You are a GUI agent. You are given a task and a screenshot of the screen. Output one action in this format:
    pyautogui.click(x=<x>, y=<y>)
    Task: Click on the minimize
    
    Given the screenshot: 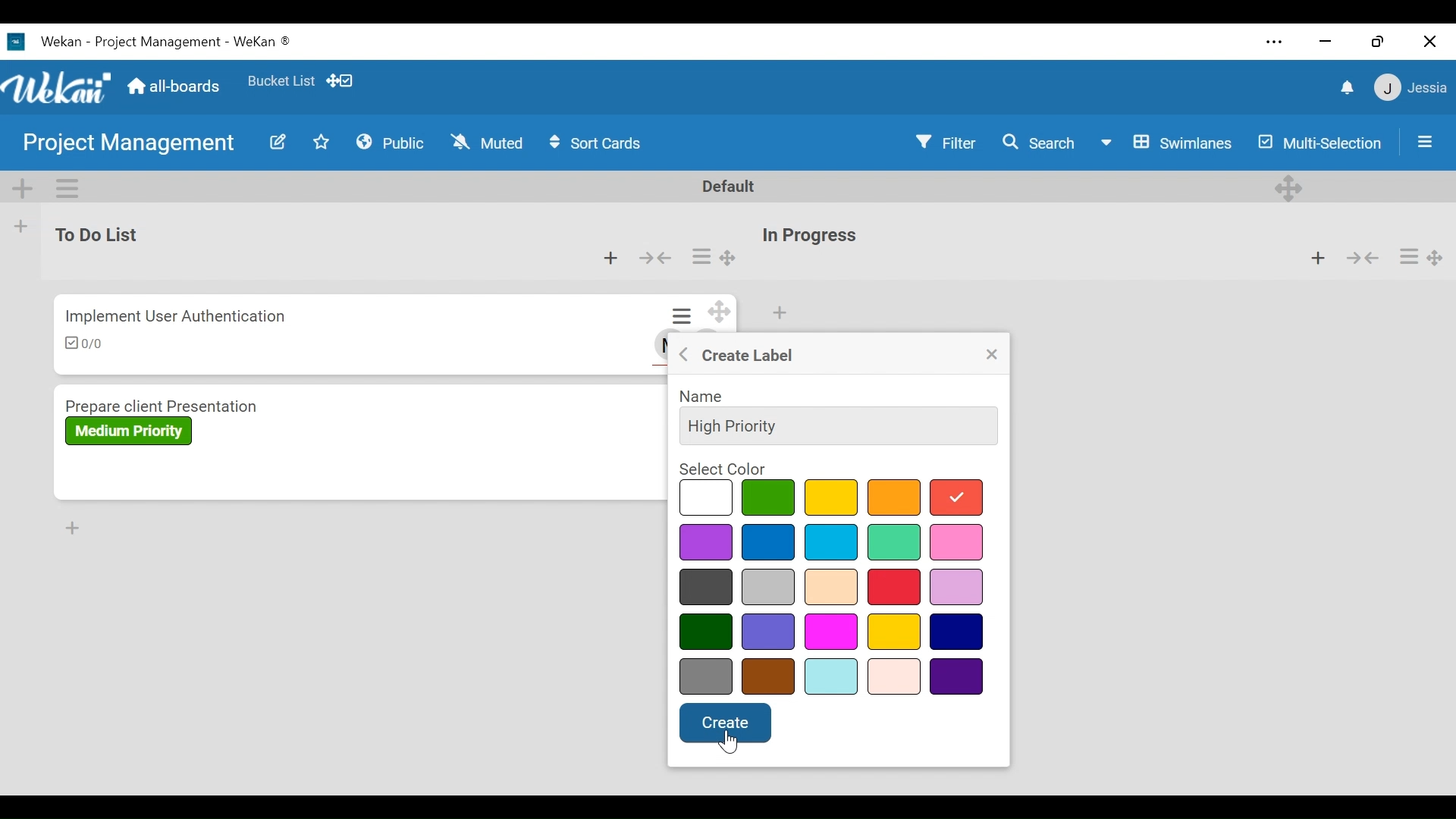 What is the action you would take?
    pyautogui.click(x=1323, y=41)
    